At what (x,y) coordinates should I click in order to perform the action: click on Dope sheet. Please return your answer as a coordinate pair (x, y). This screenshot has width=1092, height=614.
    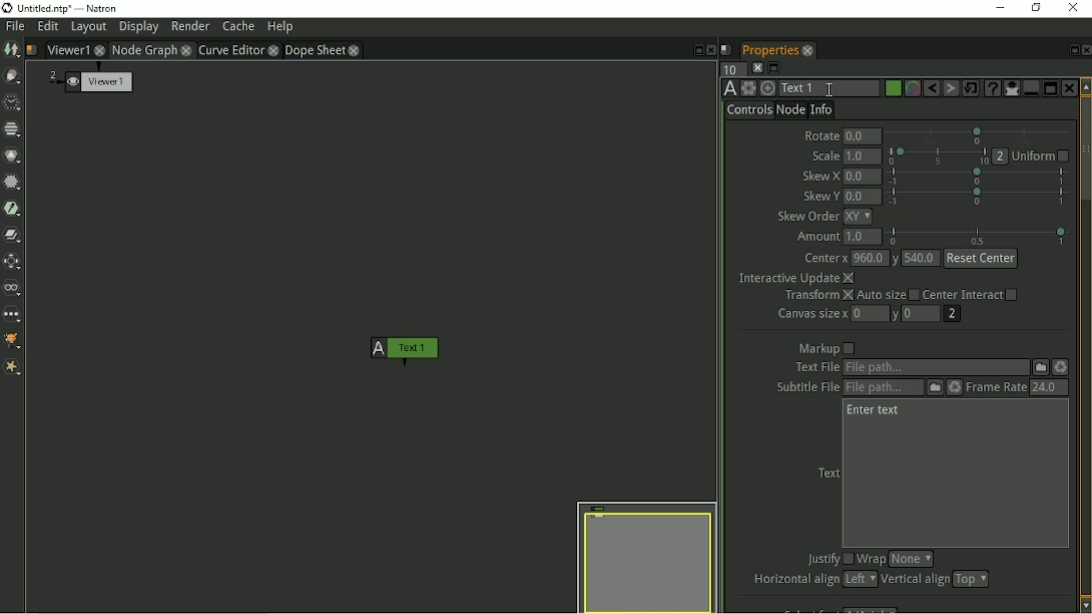
    Looking at the image, I should click on (315, 51).